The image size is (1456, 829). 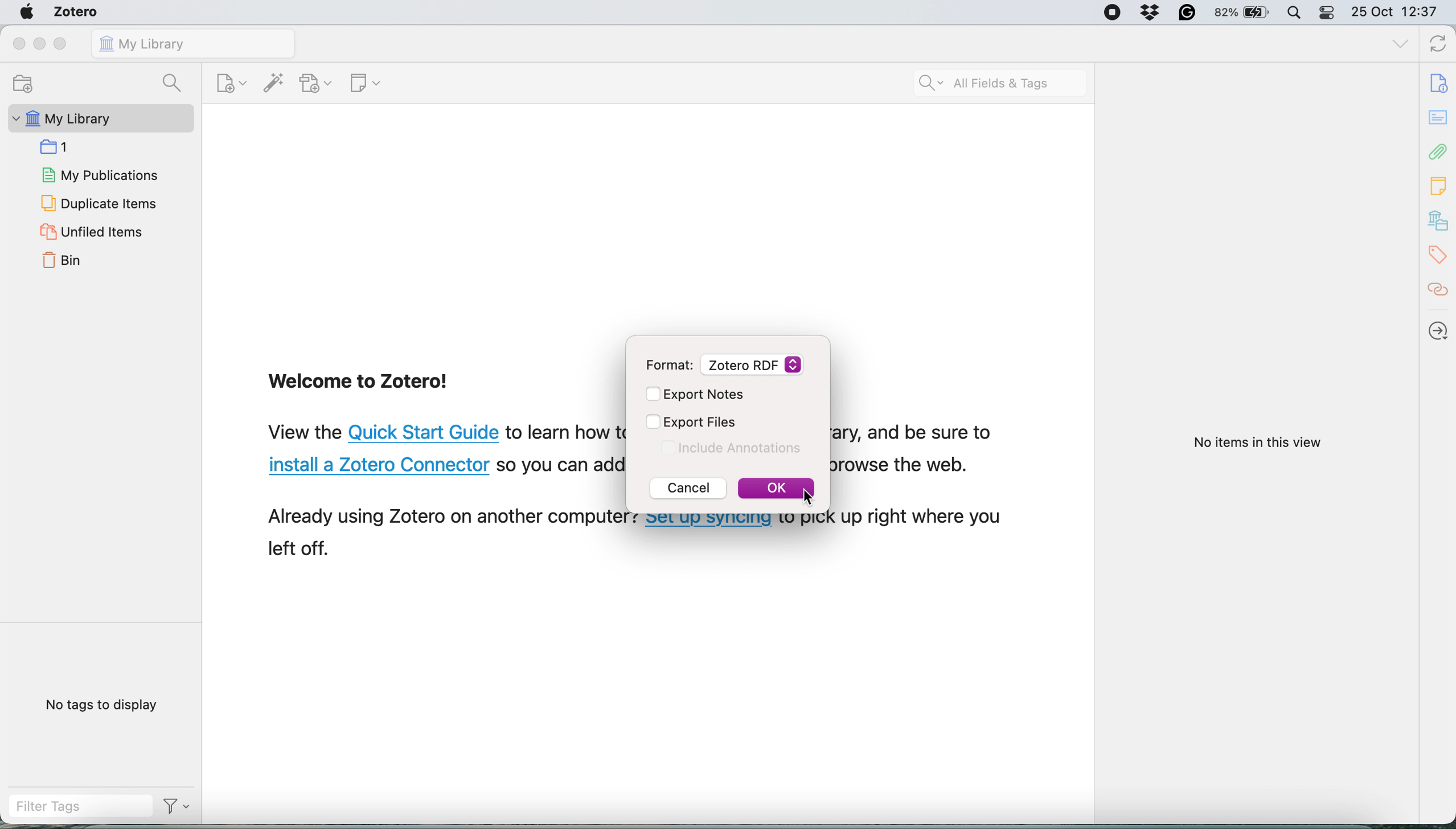 What do you see at coordinates (1242, 11) in the screenshot?
I see `82% battery` at bounding box center [1242, 11].